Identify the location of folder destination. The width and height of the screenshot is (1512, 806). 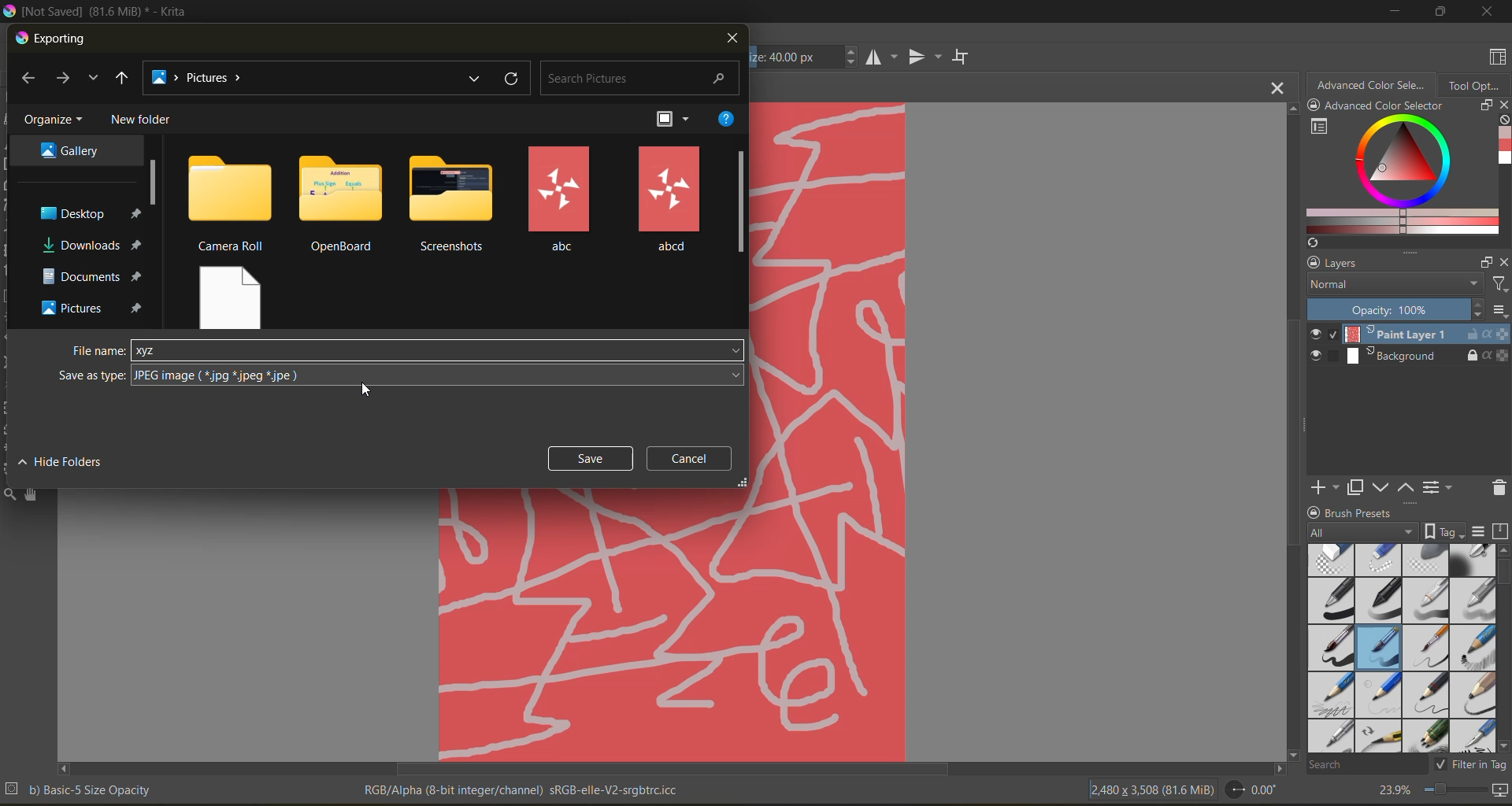
(94, 308).